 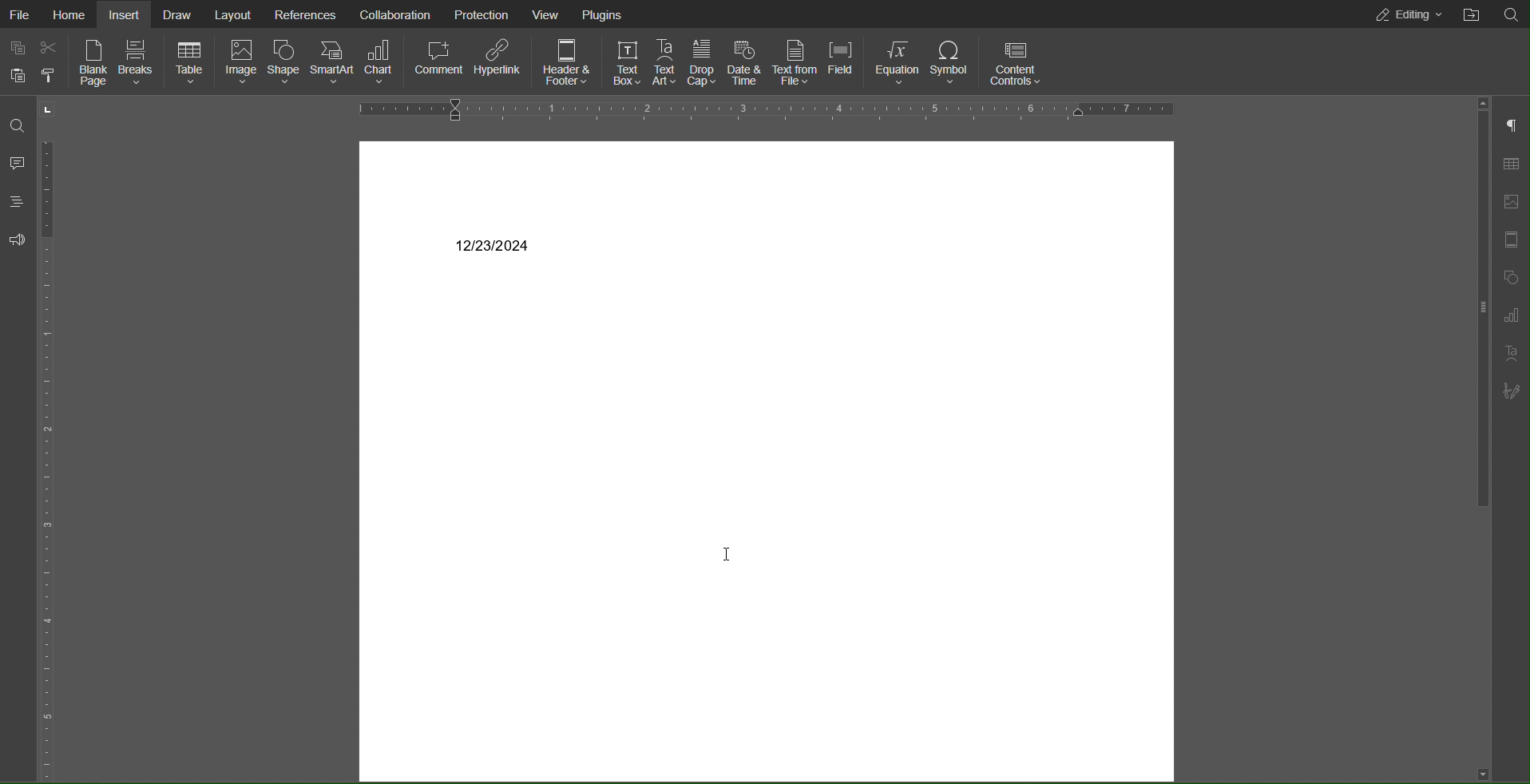 What do you see at coordinates (1514, 202) in the screenshot?
I see `Image Settings` at bounding box center [1514, 202].